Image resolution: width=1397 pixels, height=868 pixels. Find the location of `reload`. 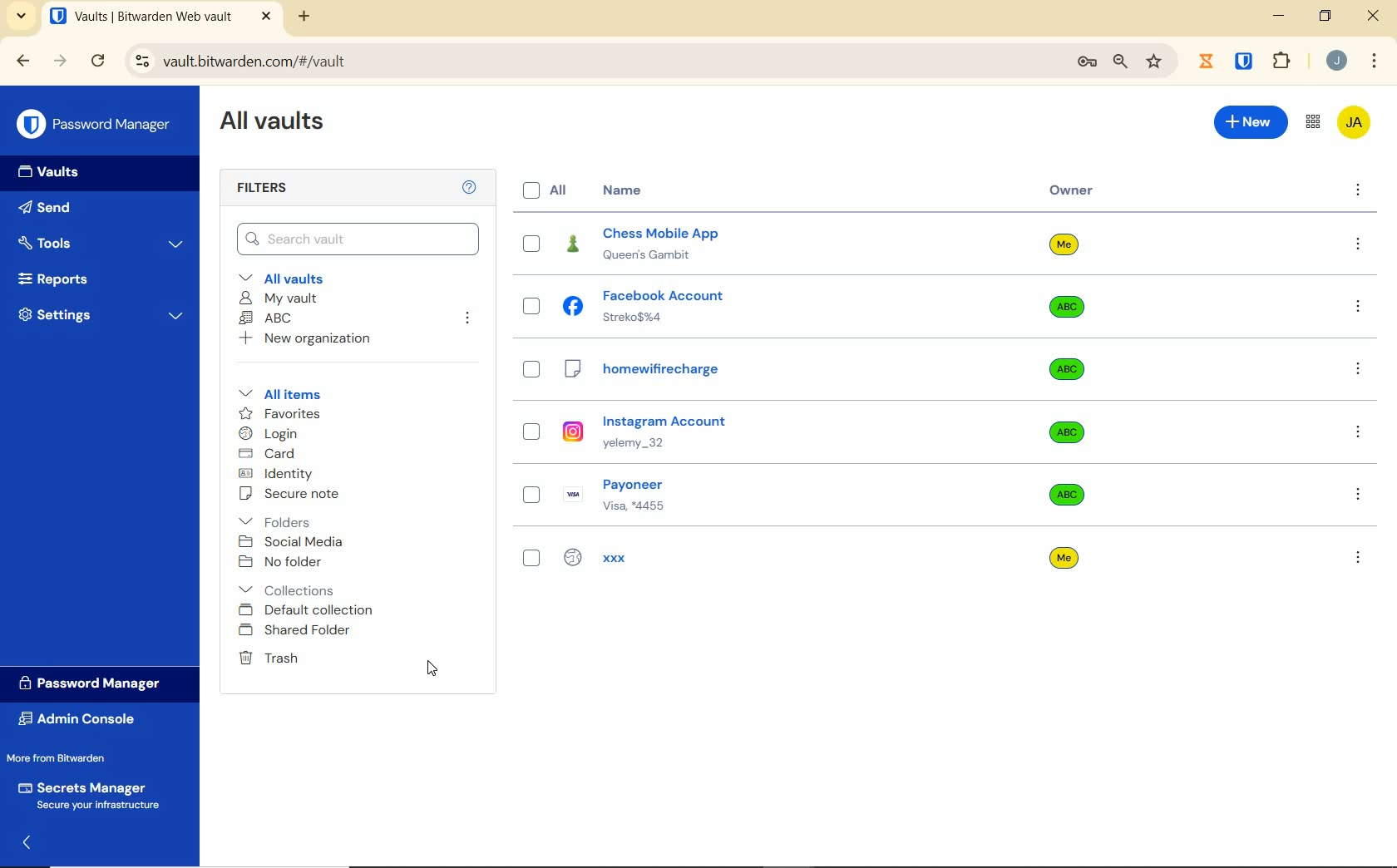

reload is located at coordinates (101, 62).